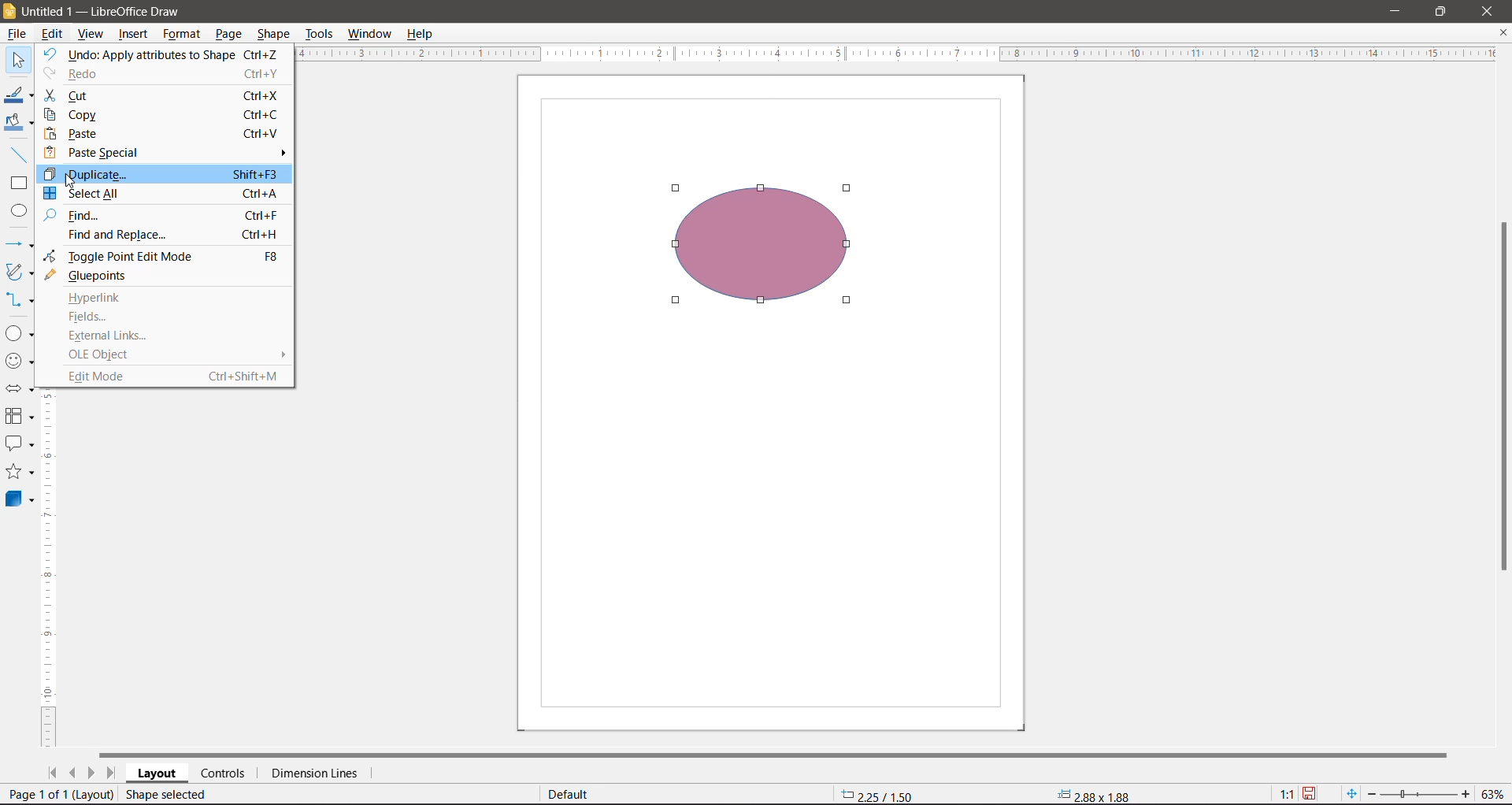 This screenshot has width=1512, height=805. I want to click on Cut, so click(161, 95).